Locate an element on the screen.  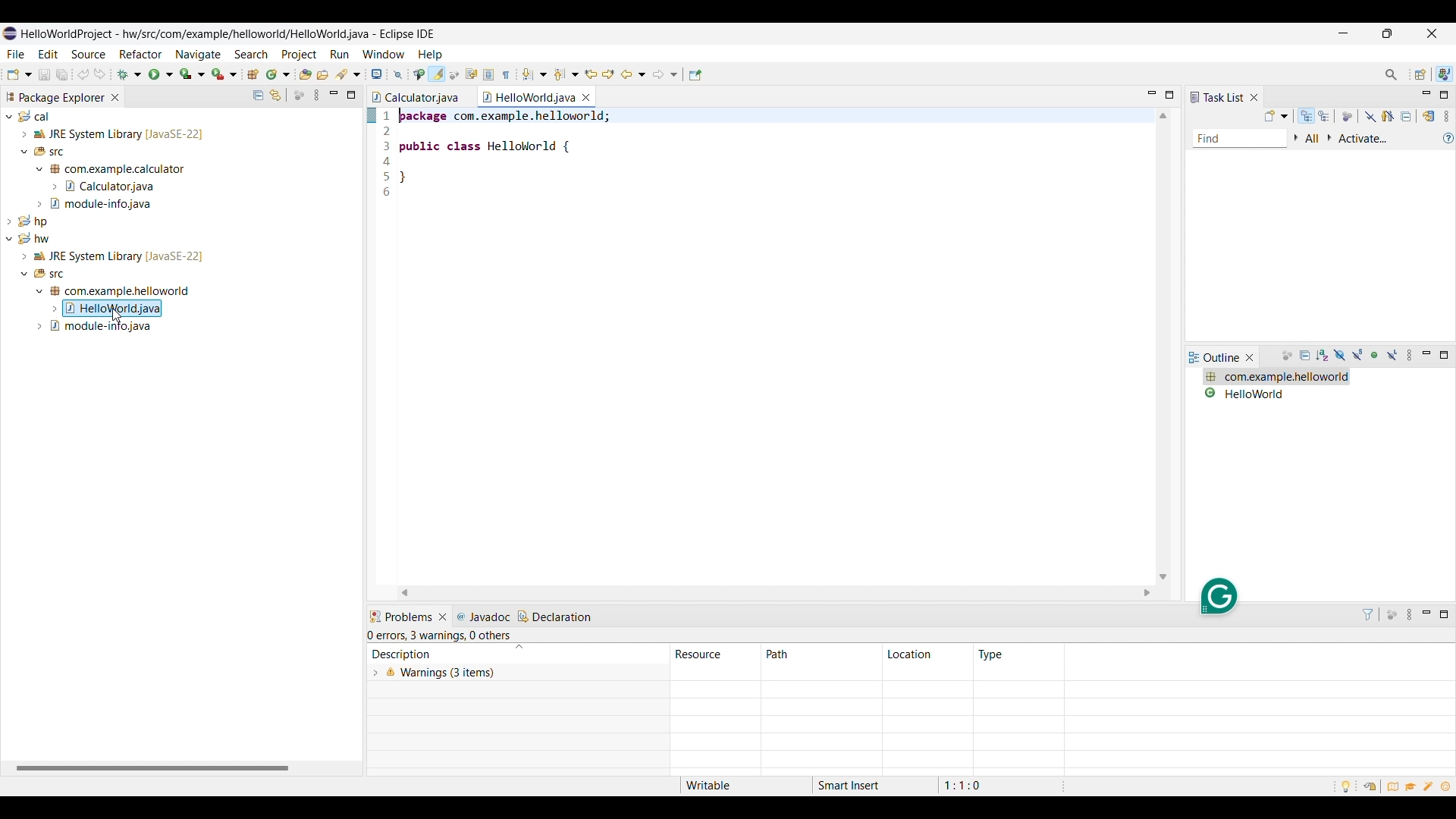
External tool options is located at coordinates (224, 74).